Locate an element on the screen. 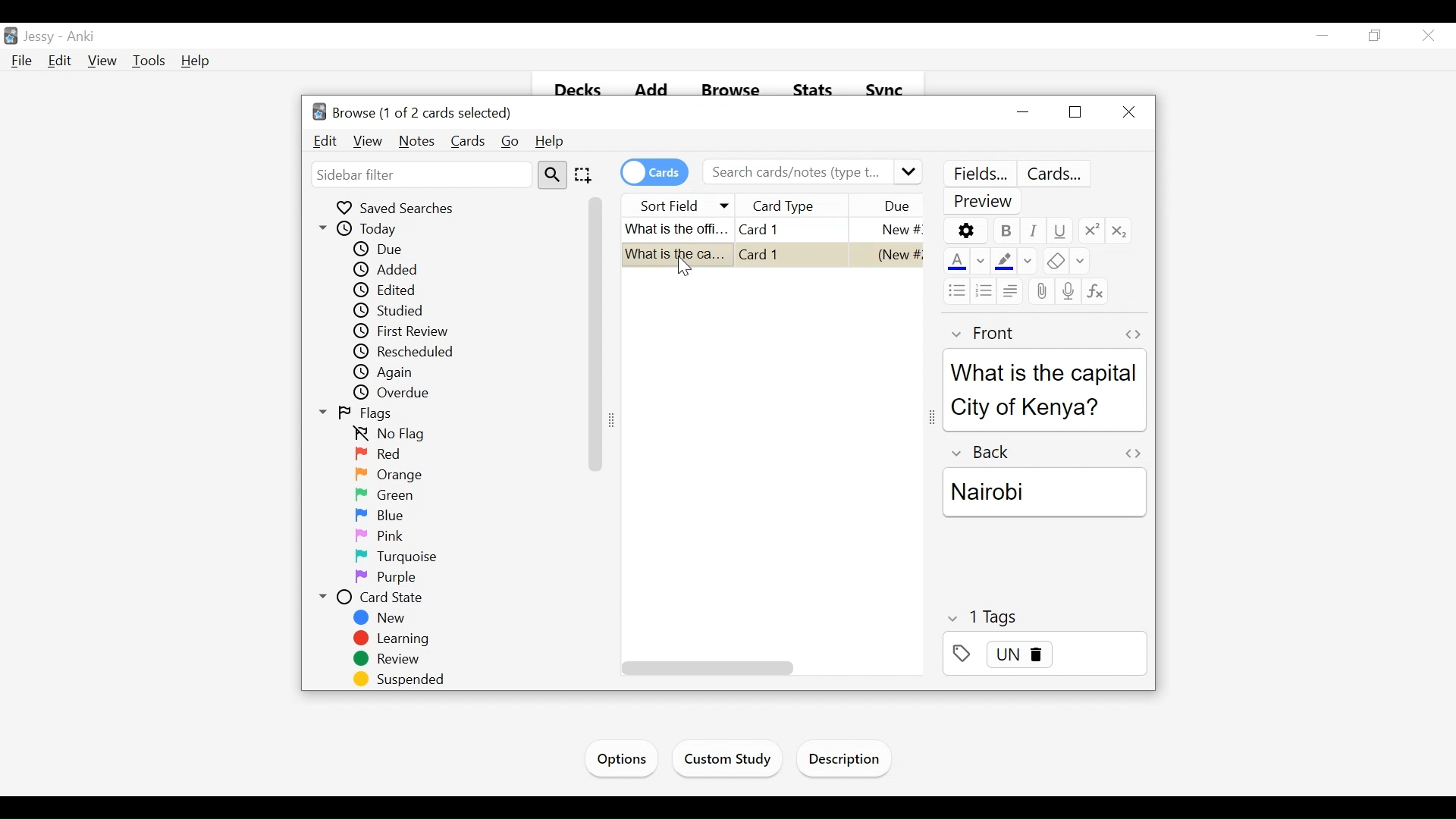 The width and height of the screenshot is (1456, 819). Saved Searches is located at coordinates (400, 208).